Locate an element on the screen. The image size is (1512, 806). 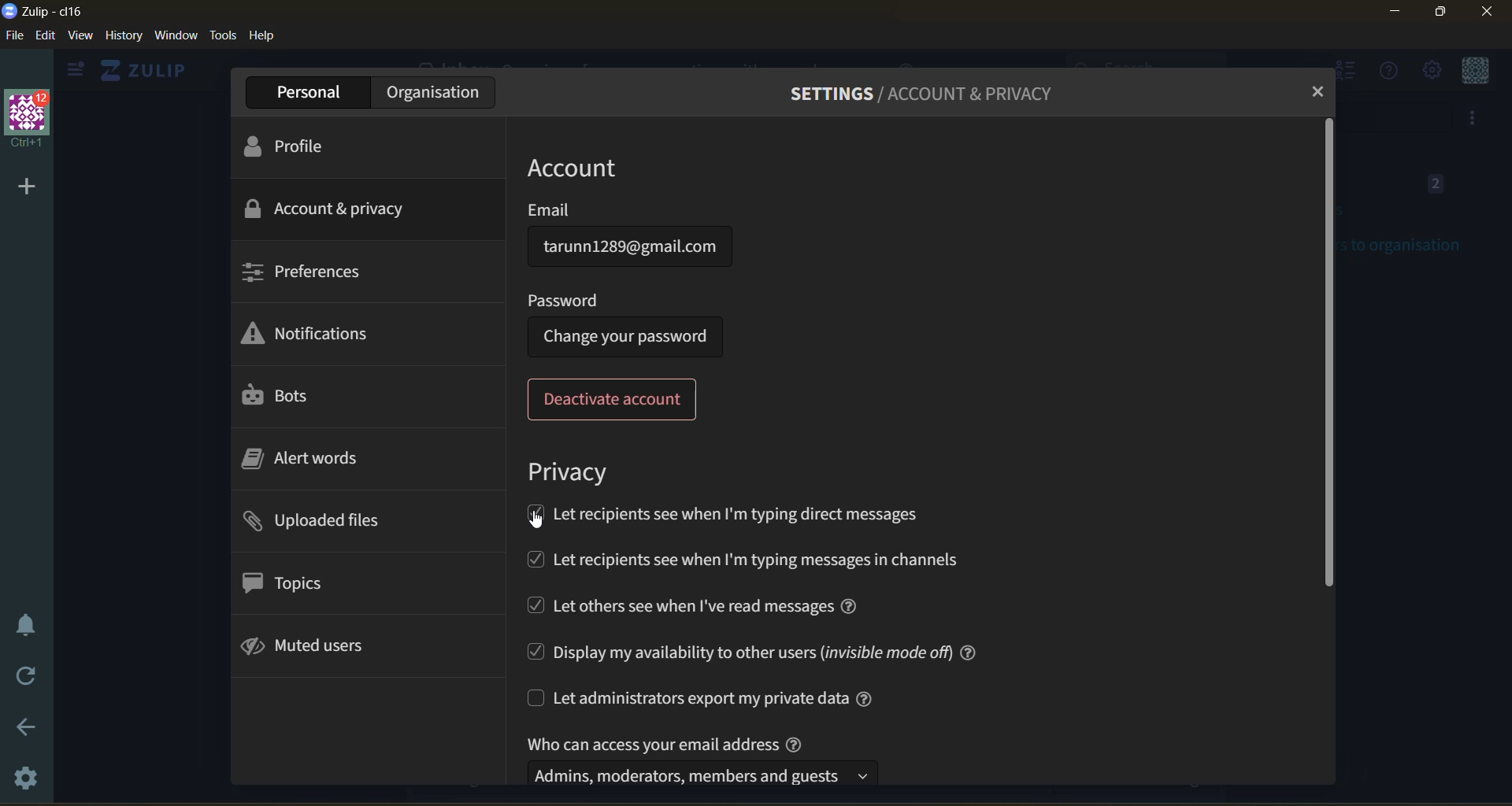
email: tarunn1289@gmail.com is located at coordinates (632, 238).